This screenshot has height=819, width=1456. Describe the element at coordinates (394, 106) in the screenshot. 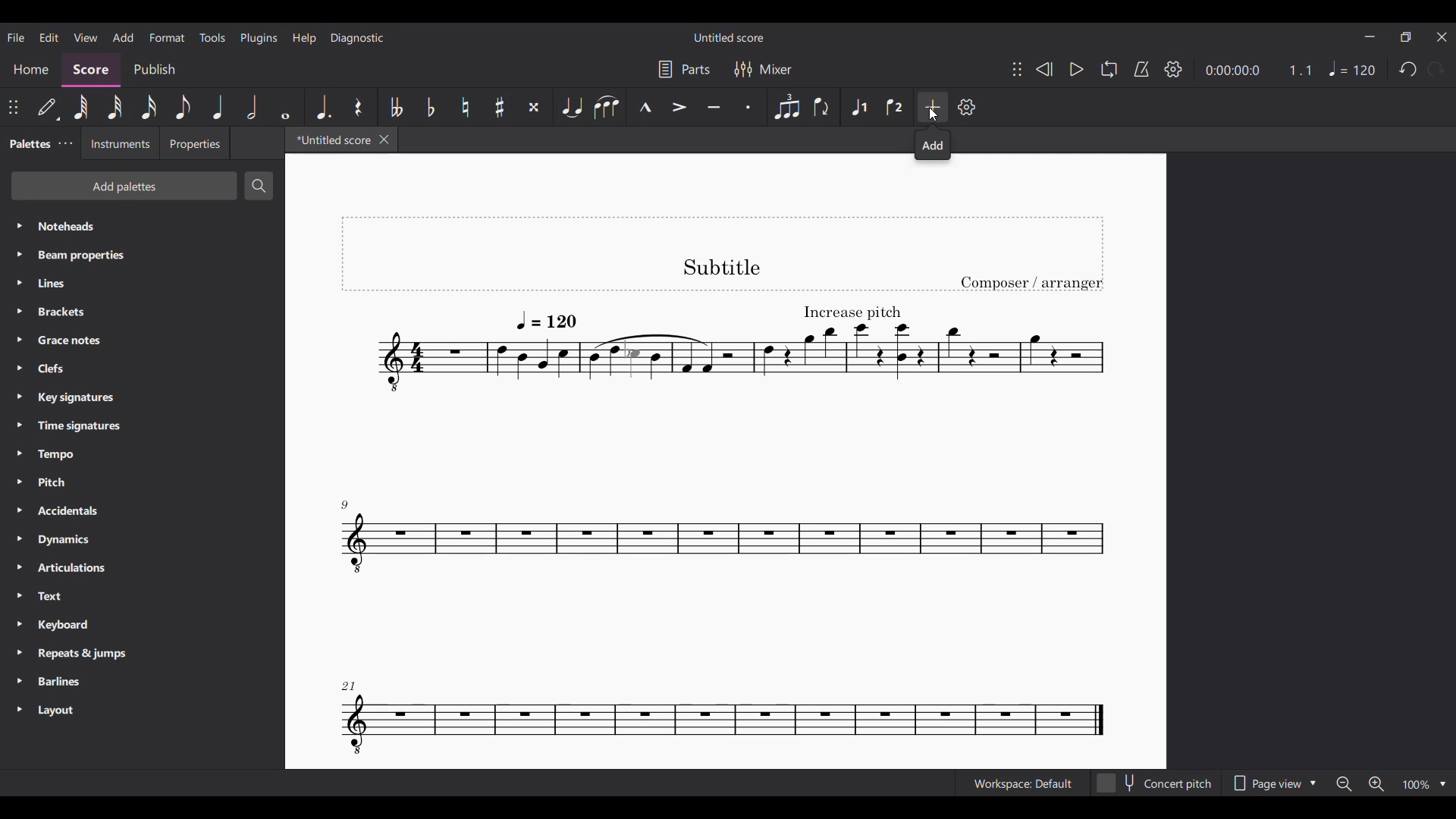

I see `Toggle double flat` at that location.